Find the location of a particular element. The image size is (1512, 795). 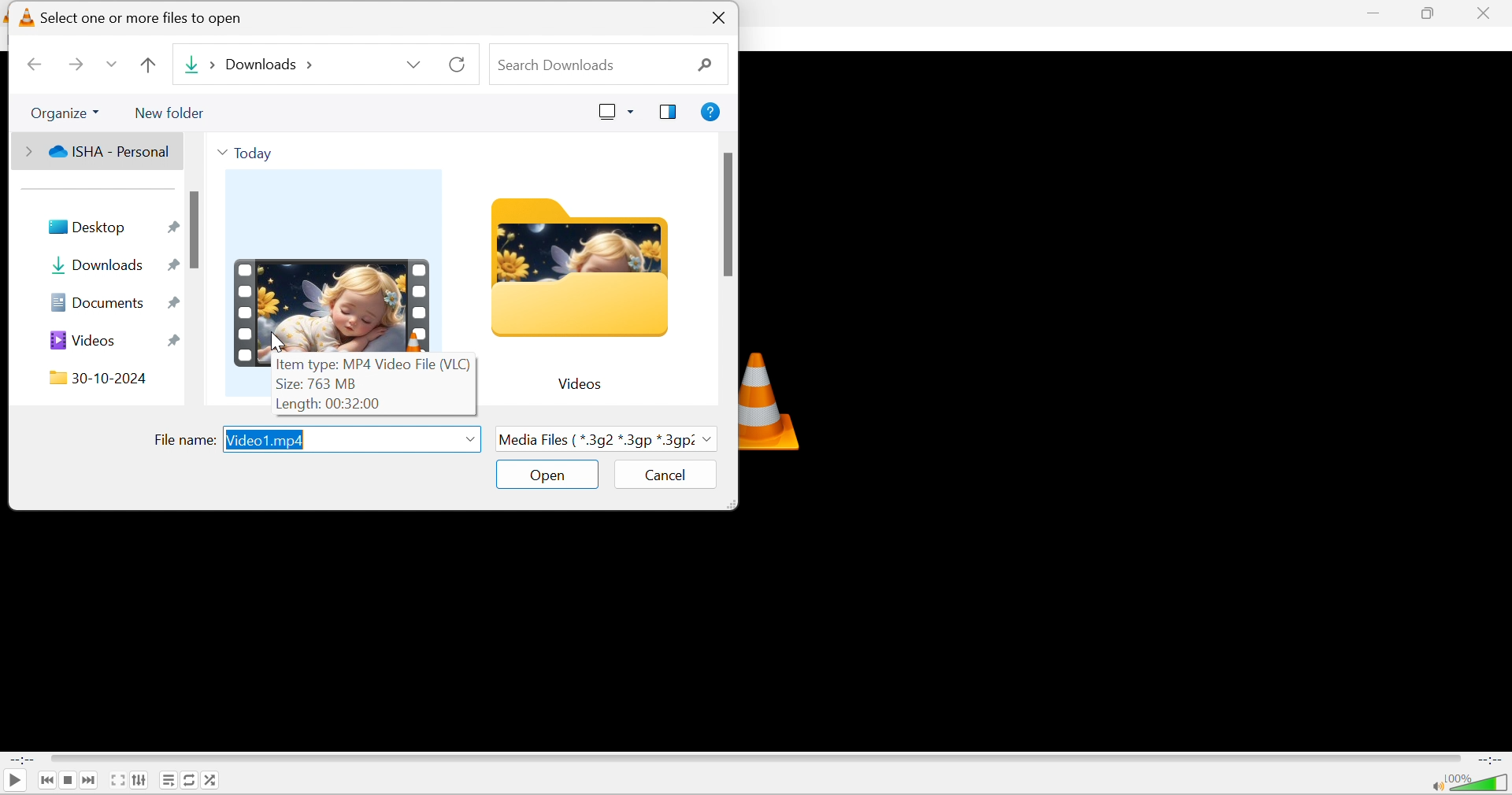

30-10-2024 is located at coordinates (101, 379).